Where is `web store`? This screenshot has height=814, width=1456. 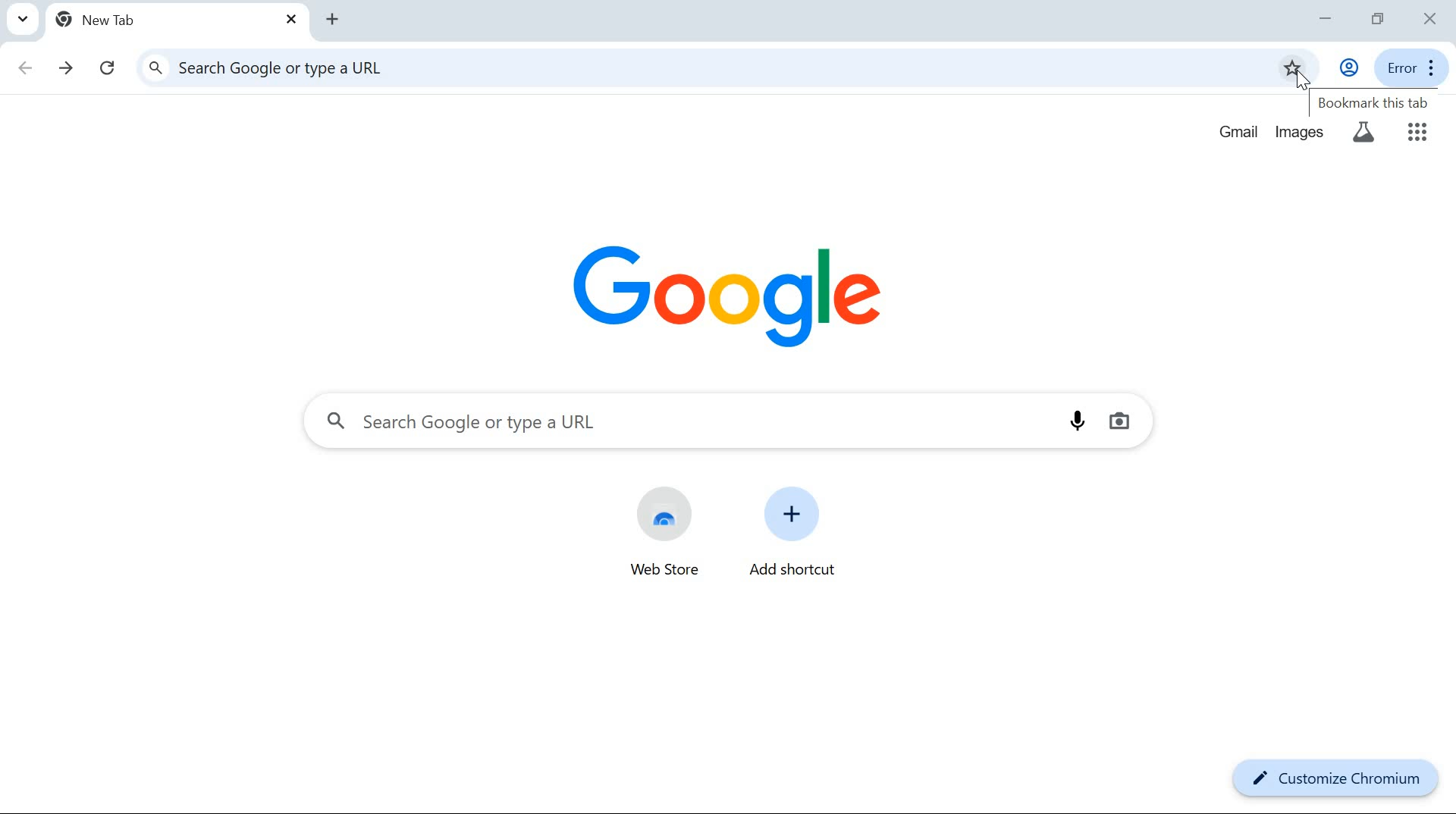 web store is located at coordinates (666, 536).